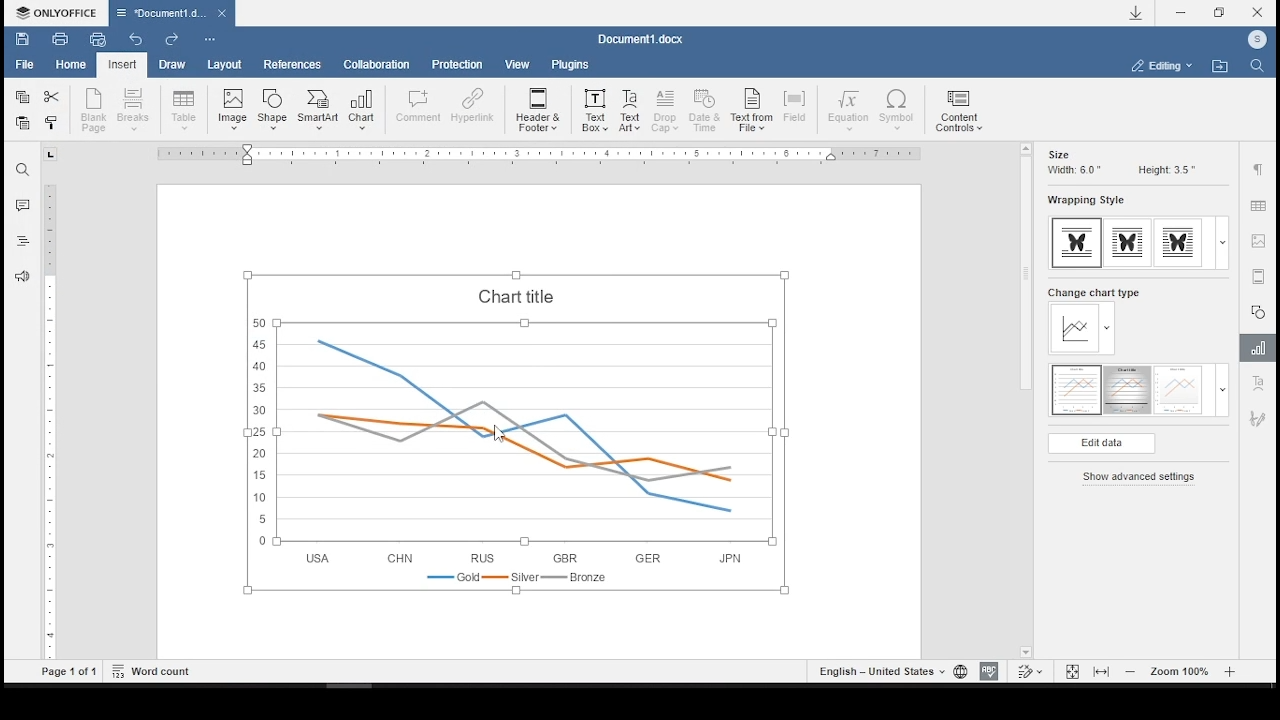 The height and width of the screenshot is (720, 1280). Describe the element at coordinates (631, 110) in the screenshot. I see `text art` at that location.